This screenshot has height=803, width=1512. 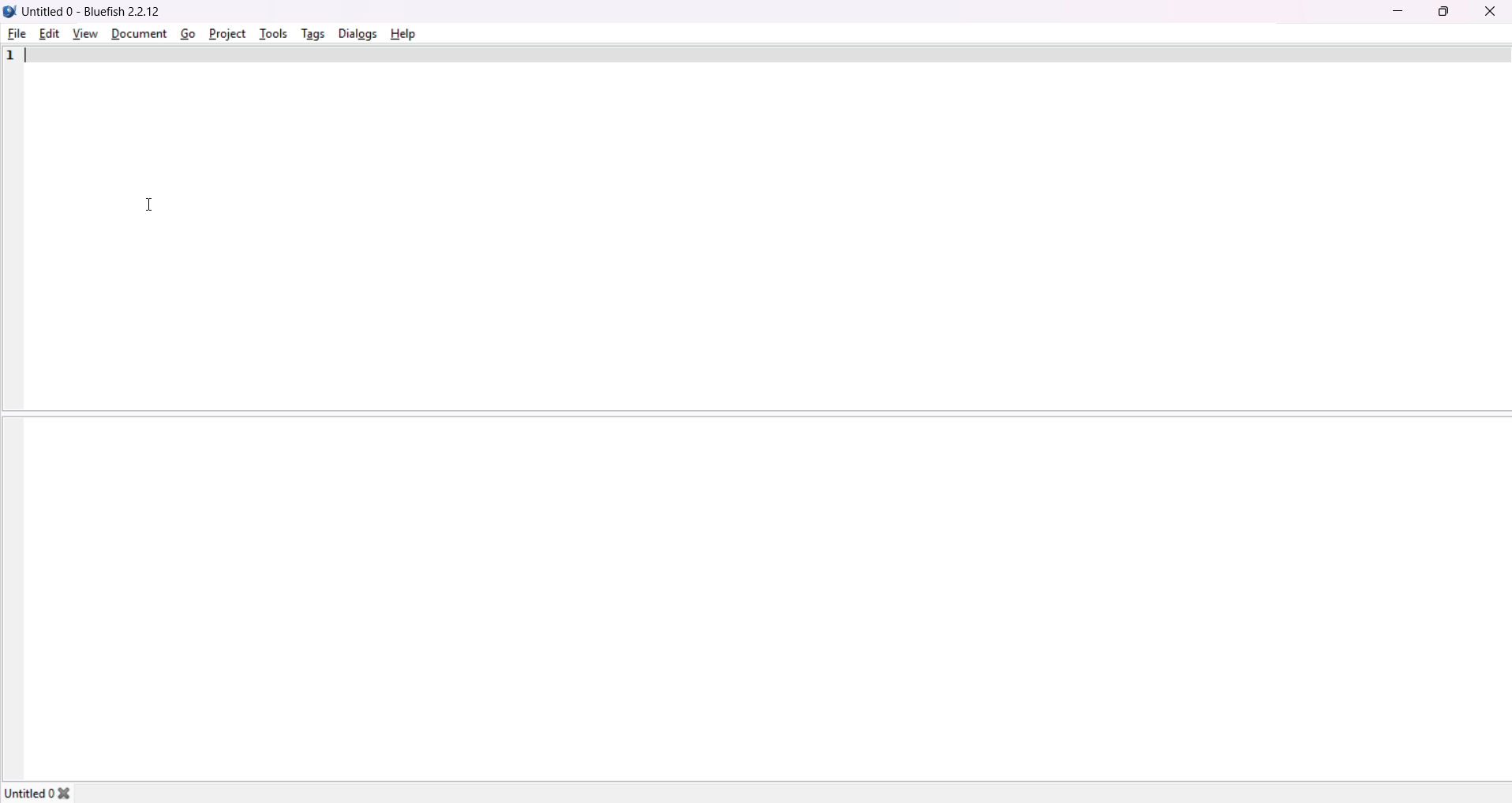 I want to click on help, so click(x=402, y=32).